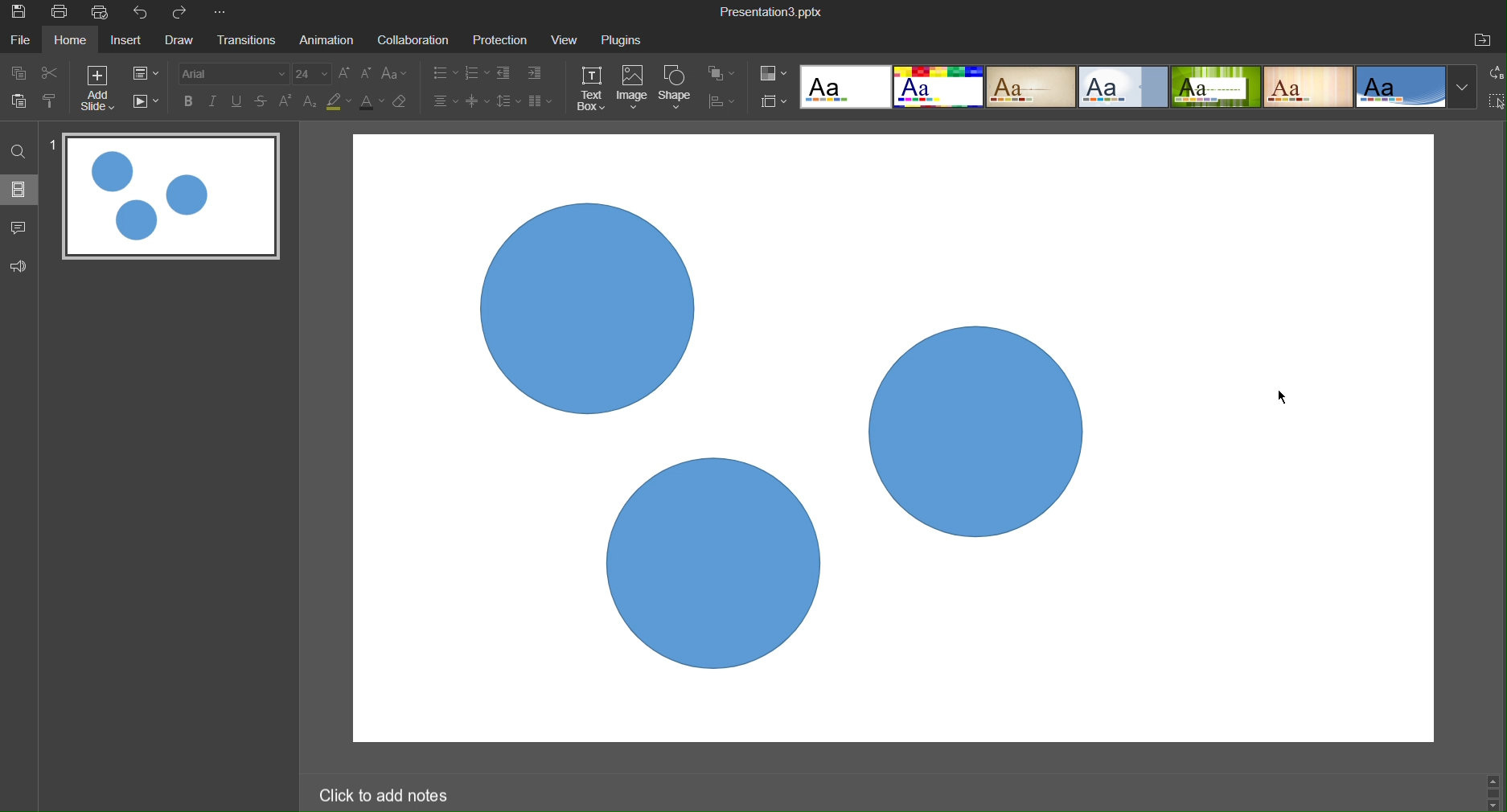  What do you see at coordinates (711, 560) in the screenshot?
I see `Shape 3` at bounding box center [711, 560].